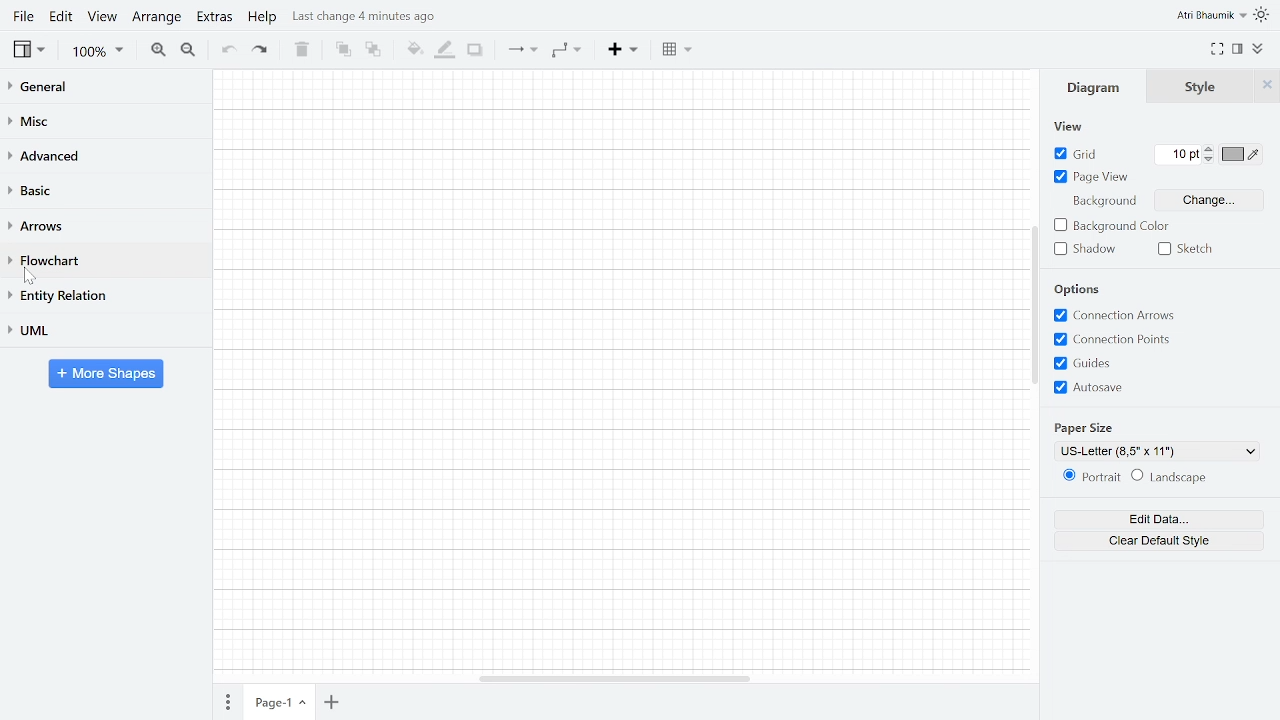  What do you see at coordinates (1205, 86) in the screenshot?
I see `Style` at bounding box center [1205, 86].